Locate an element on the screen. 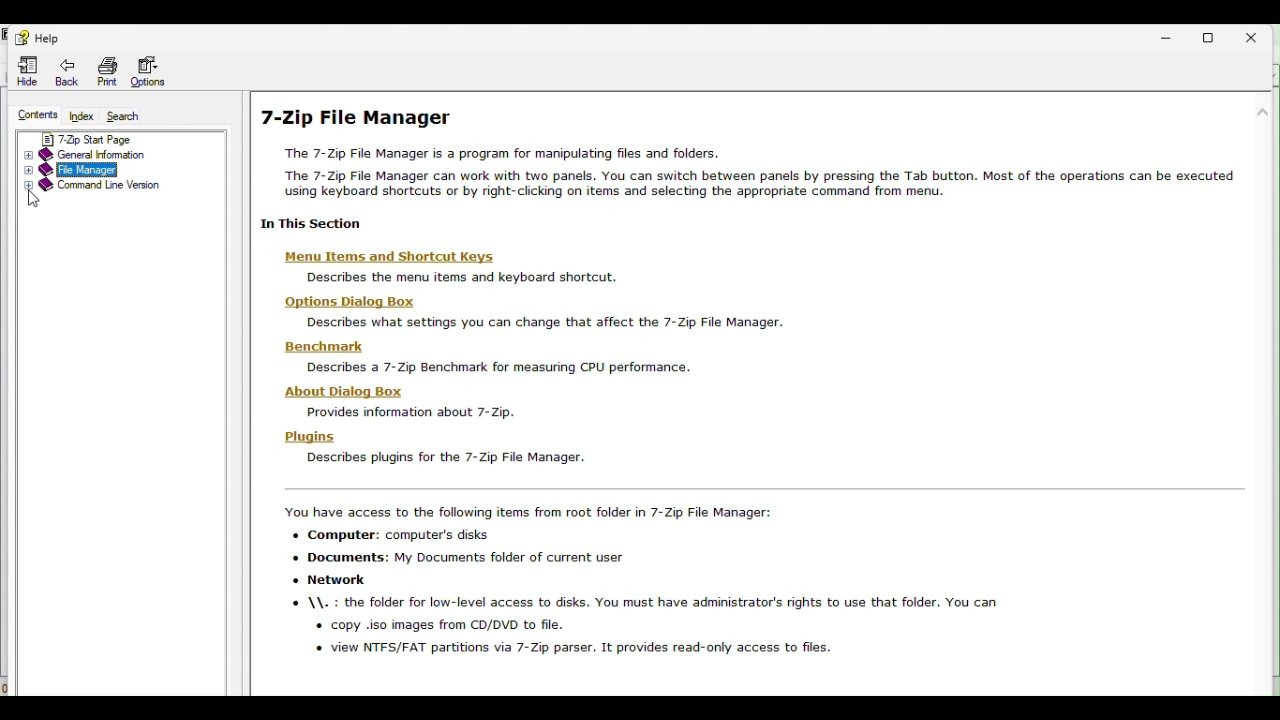 The height and width of the screenshot is (720, 1280). Describes plugins for the 7-Zip File Manager. is located at coordinates (444, 459).